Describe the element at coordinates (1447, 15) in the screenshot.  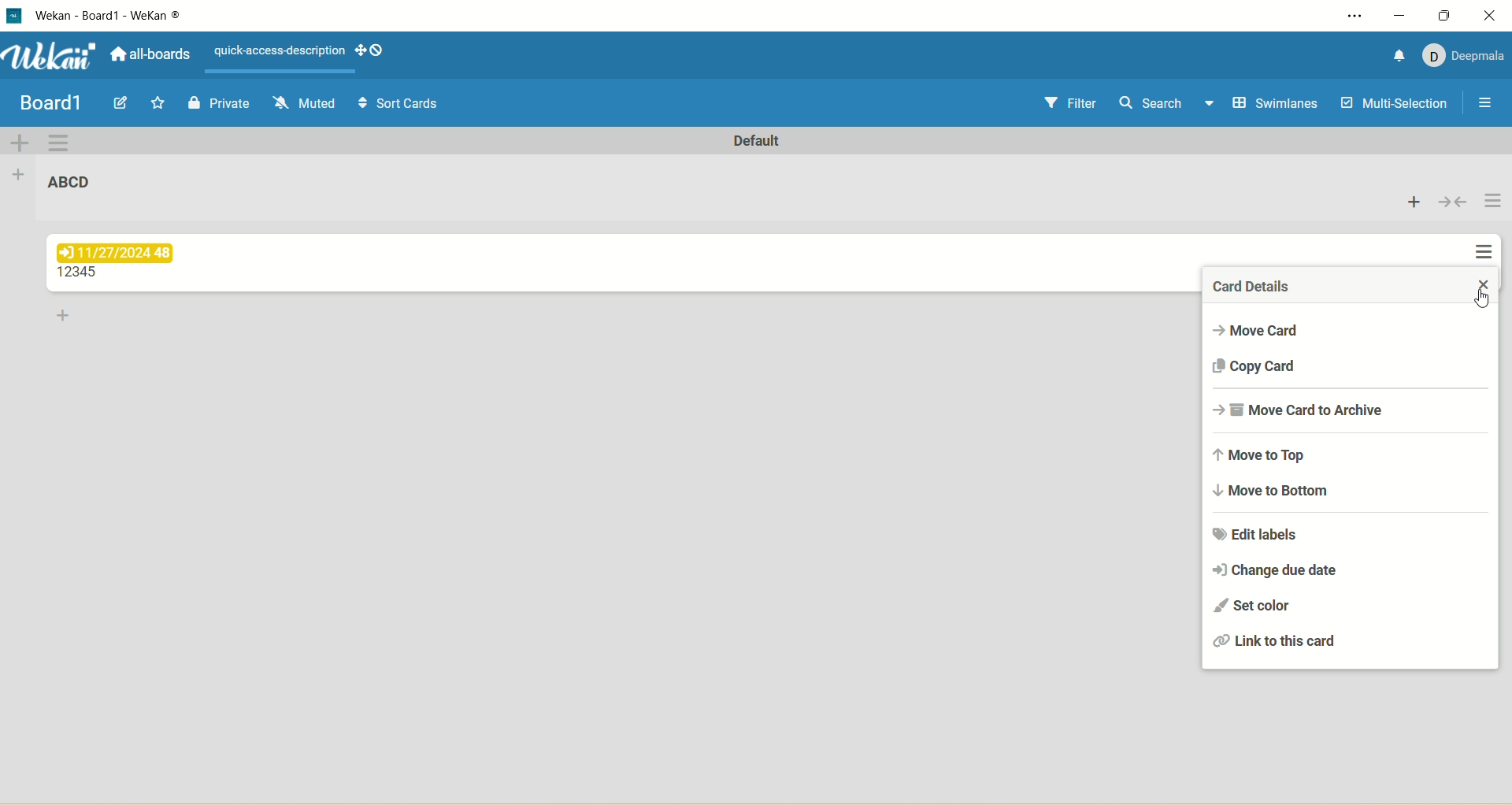
I see `maximize` at that location.